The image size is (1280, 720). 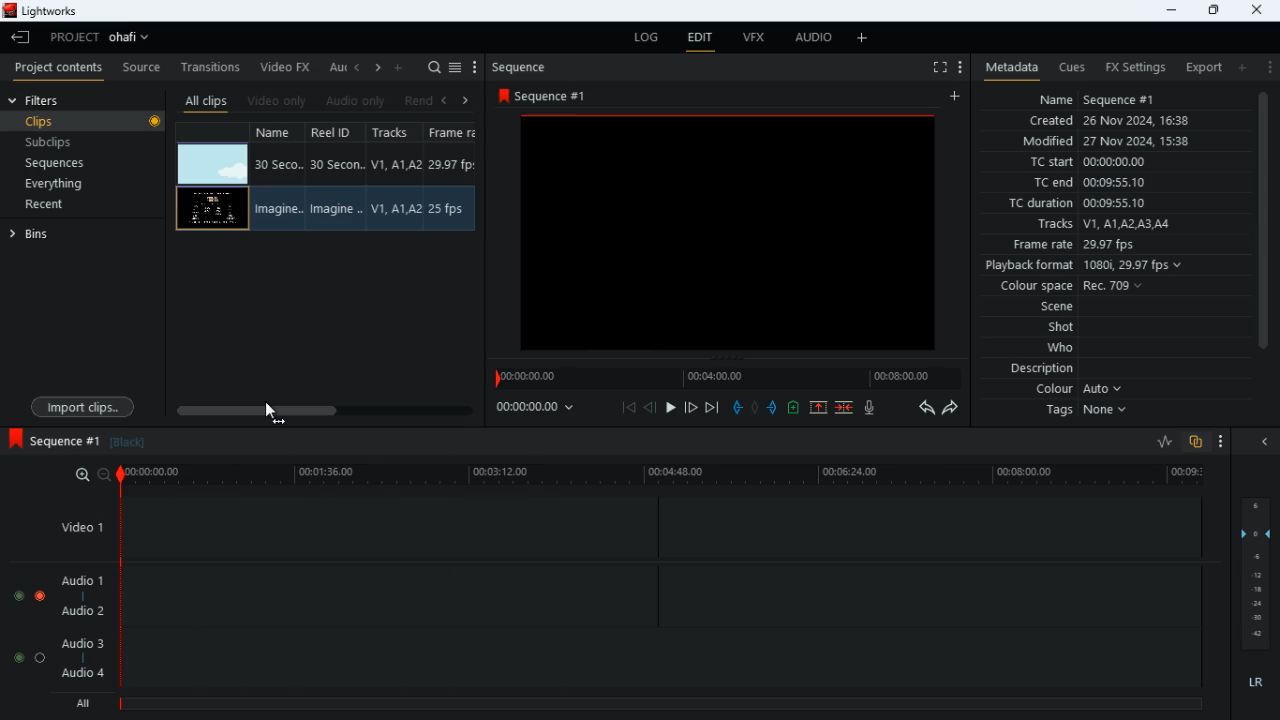 What do you see at coordinates (662, 475) in the screenshot?
I see `time` at bounding box center [662, 475].